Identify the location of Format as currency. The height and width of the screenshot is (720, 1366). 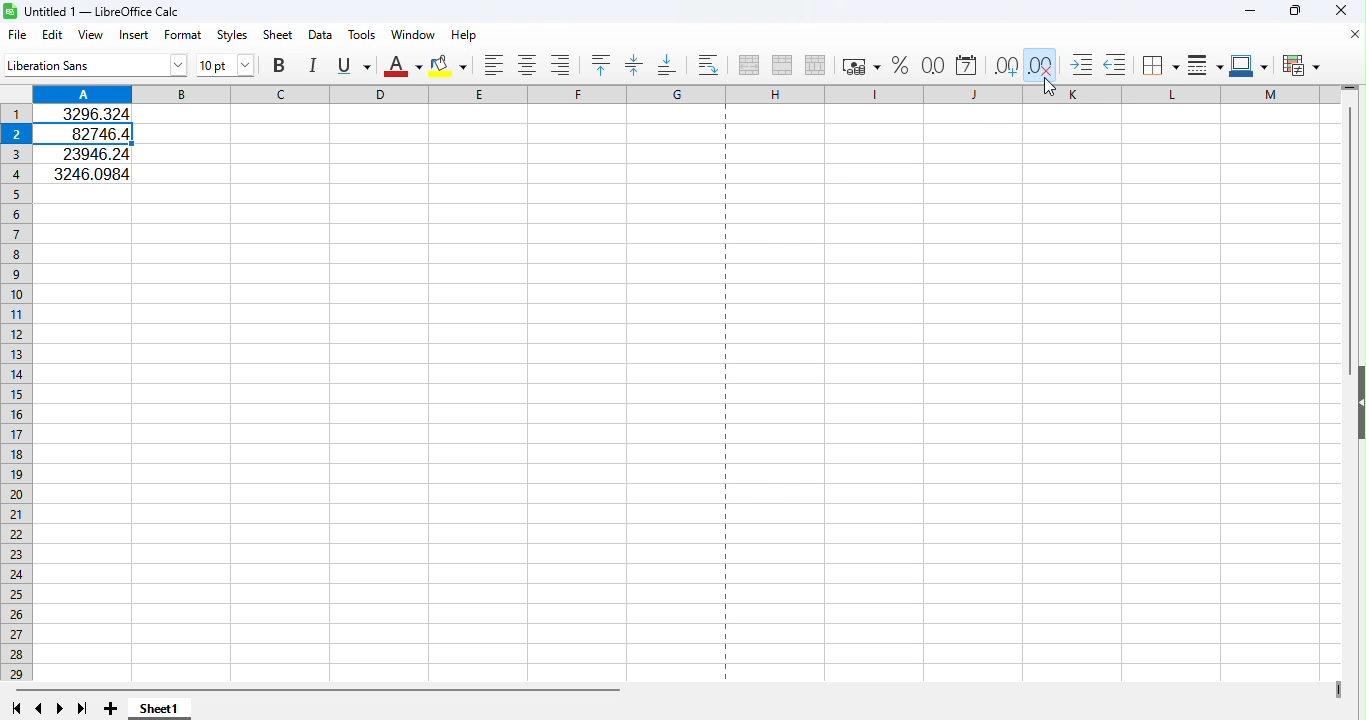
(860, 67).